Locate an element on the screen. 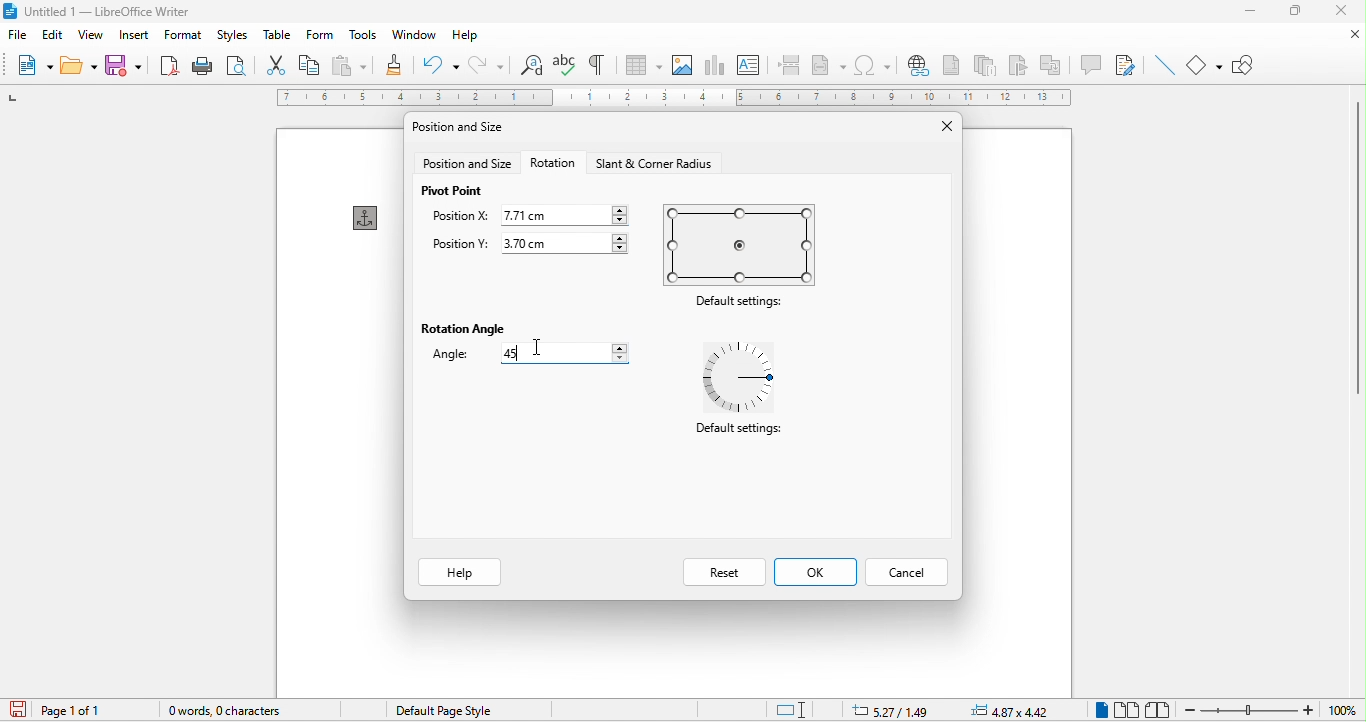 This screenshot has height=722, width=1366. form is located at coordinates (316, 36).